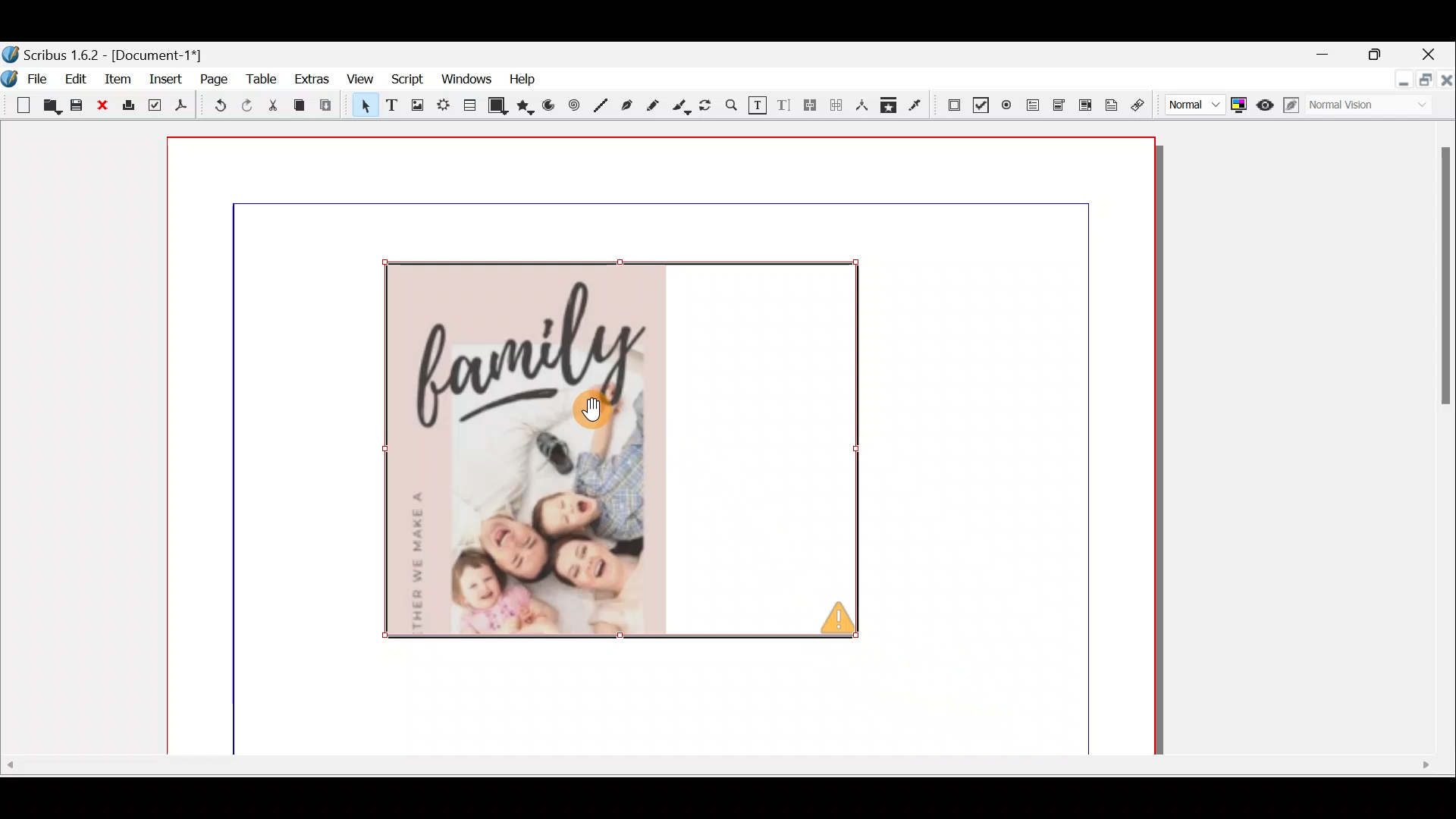 This screenshot has width=1456, height=819. What do you see at coordinates (17, 106) in the screenshot?
I see `New` at bounding box center [17, 106].